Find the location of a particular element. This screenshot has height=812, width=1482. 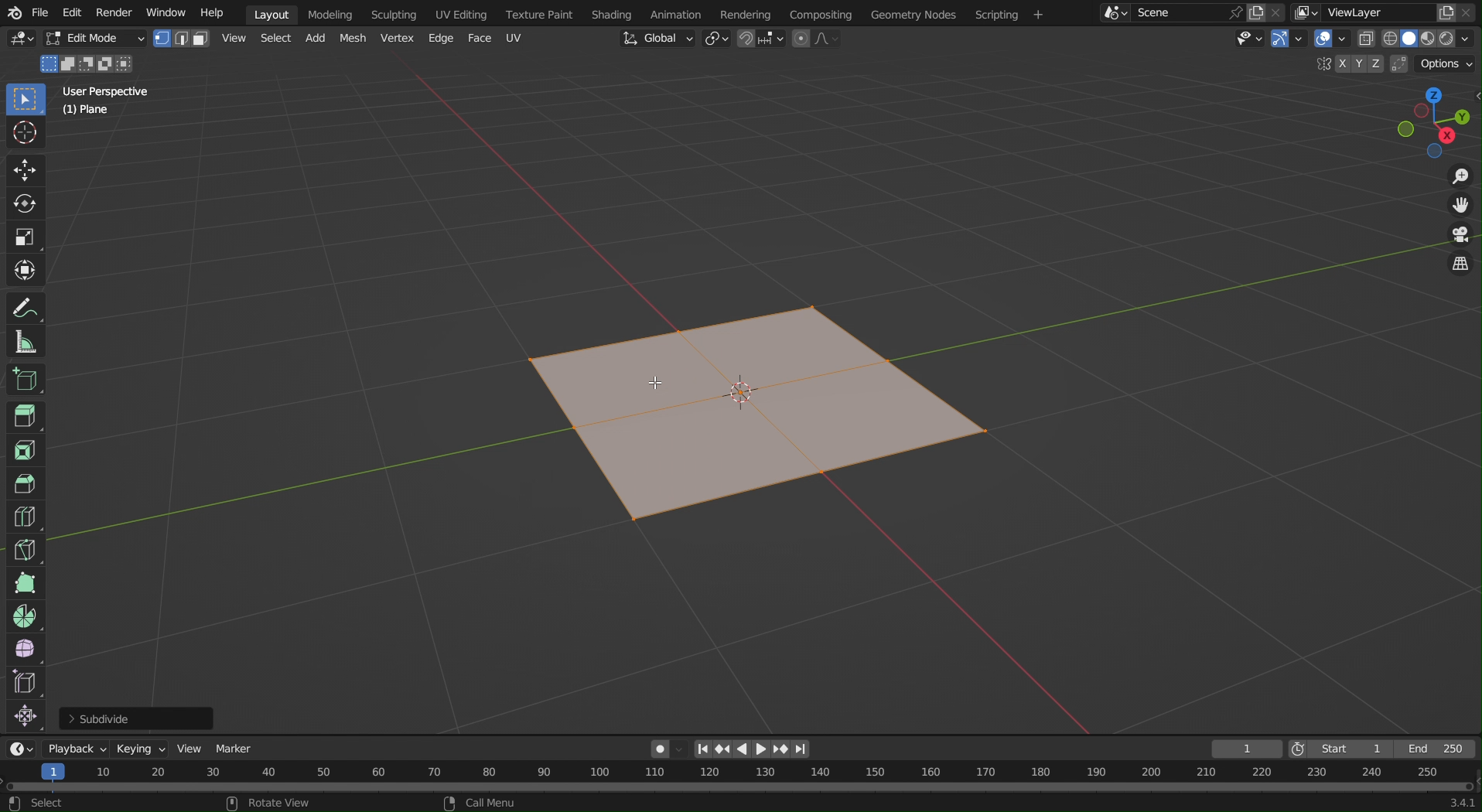

End is located at coordinates (1434, 750).